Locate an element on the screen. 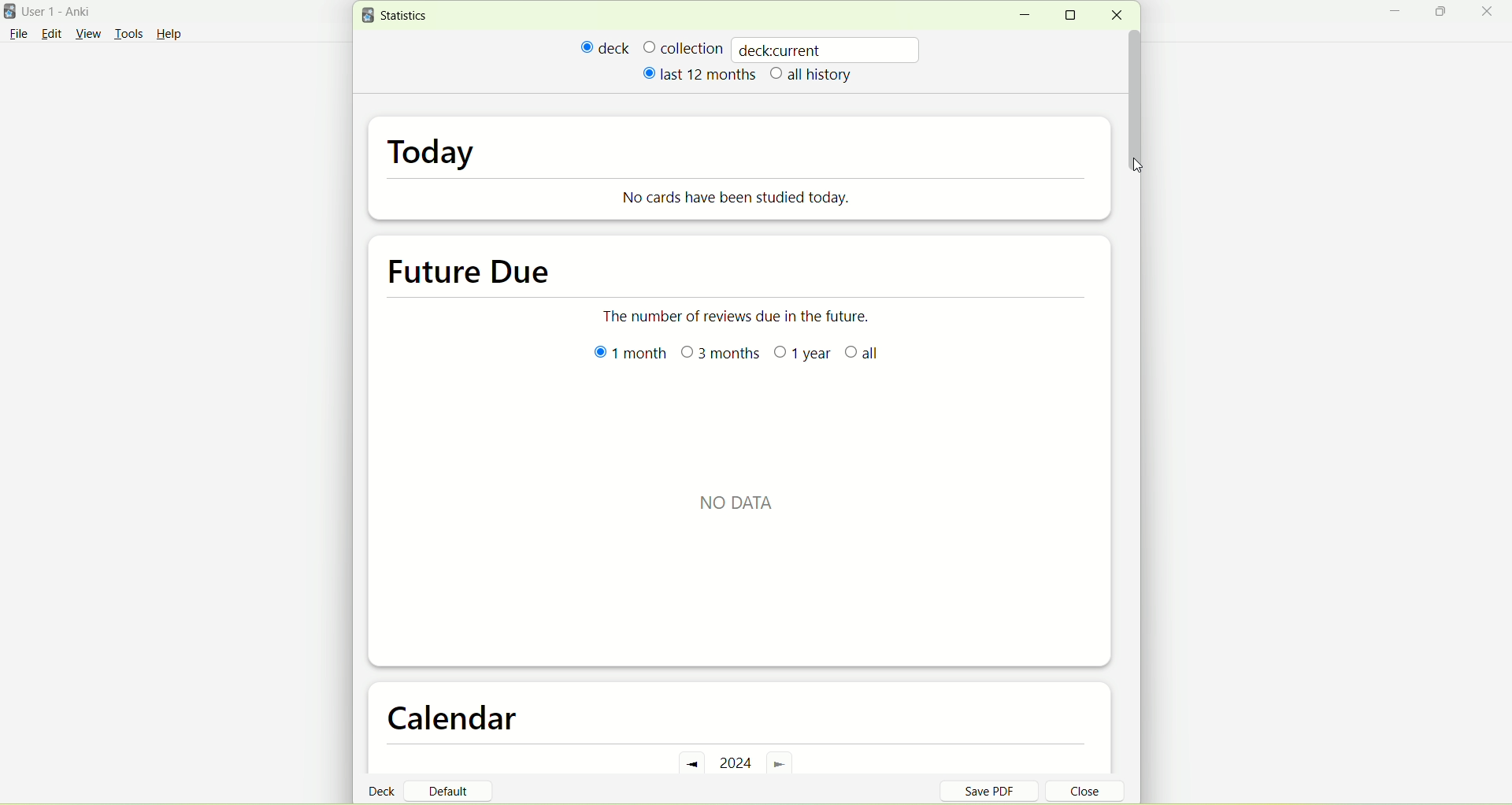  deck is located at coordinates (384, 790).